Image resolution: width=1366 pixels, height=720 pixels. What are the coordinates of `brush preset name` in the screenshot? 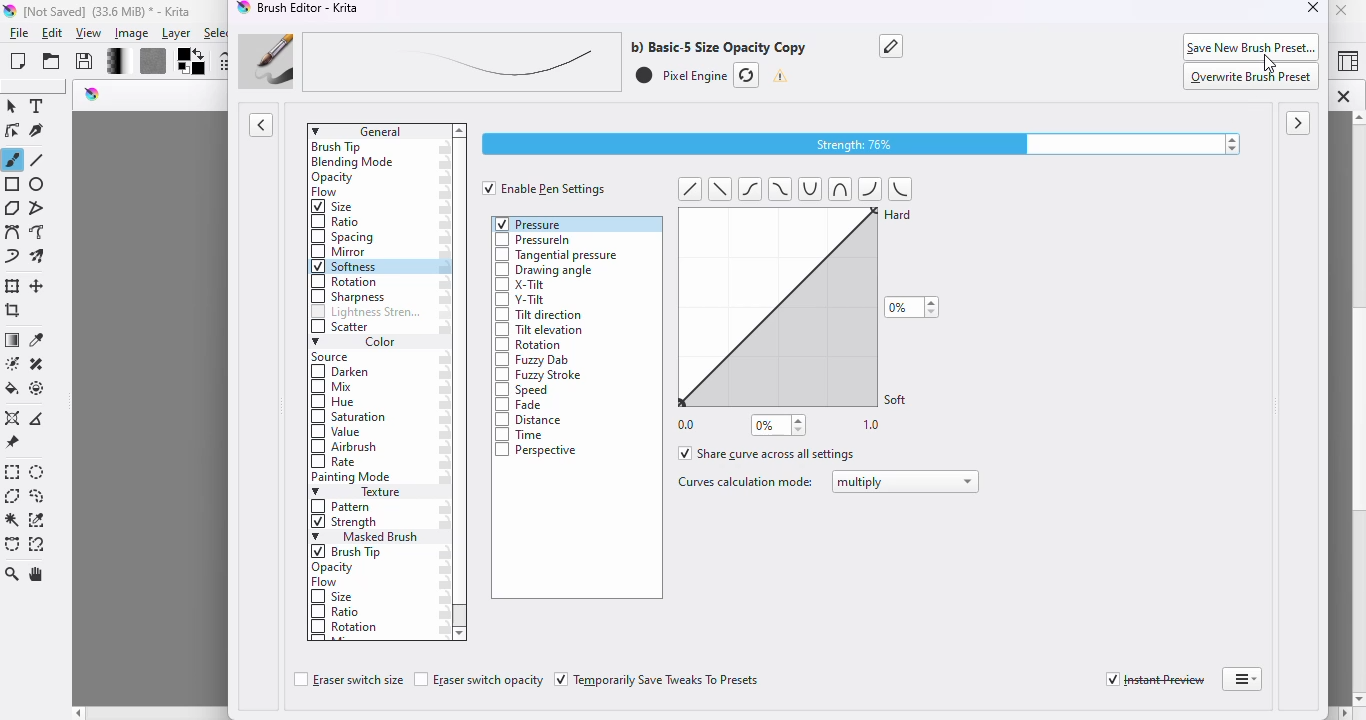 It's located at (522, 62).